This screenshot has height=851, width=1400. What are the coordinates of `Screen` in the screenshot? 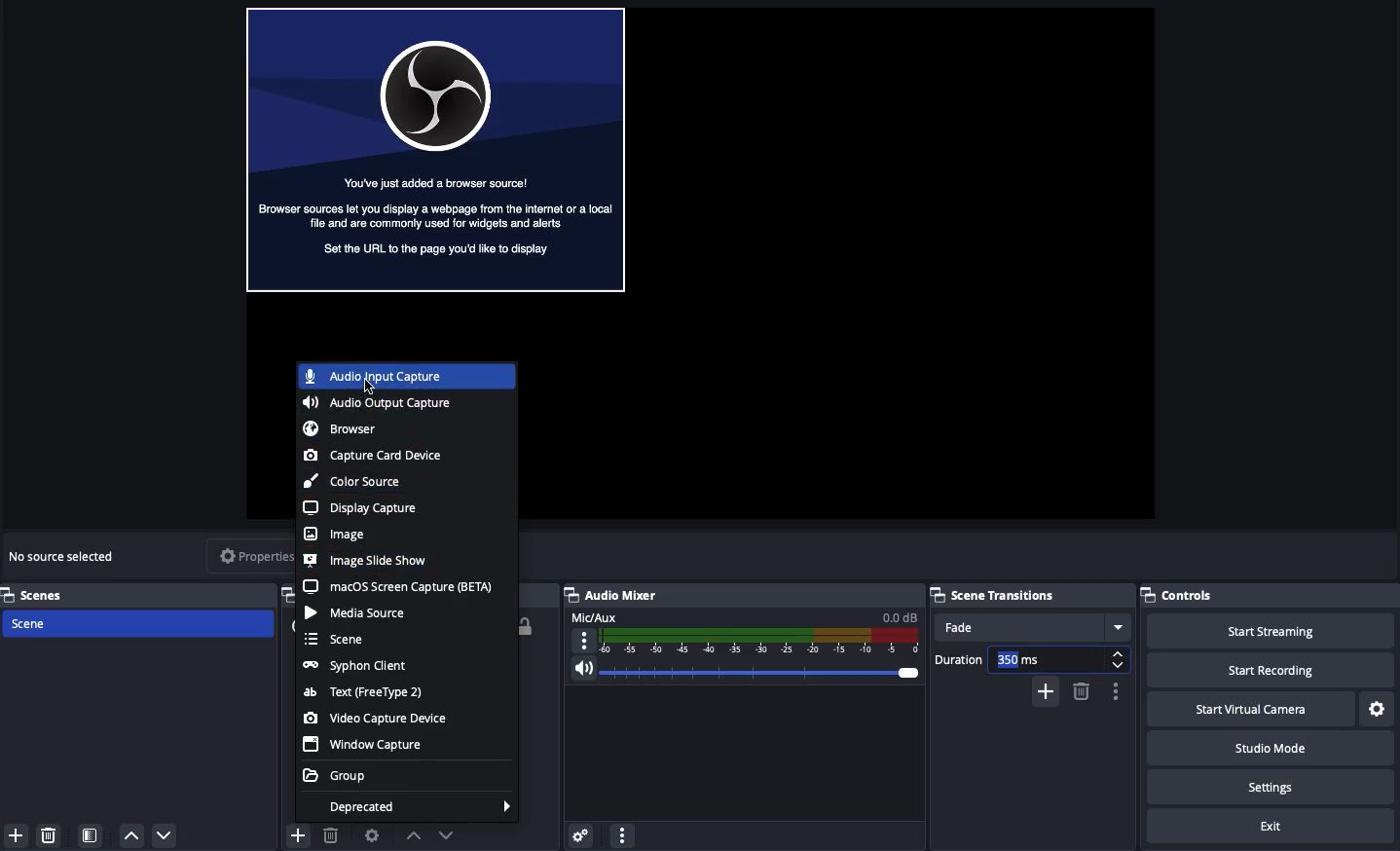 It's located at (438, 152).